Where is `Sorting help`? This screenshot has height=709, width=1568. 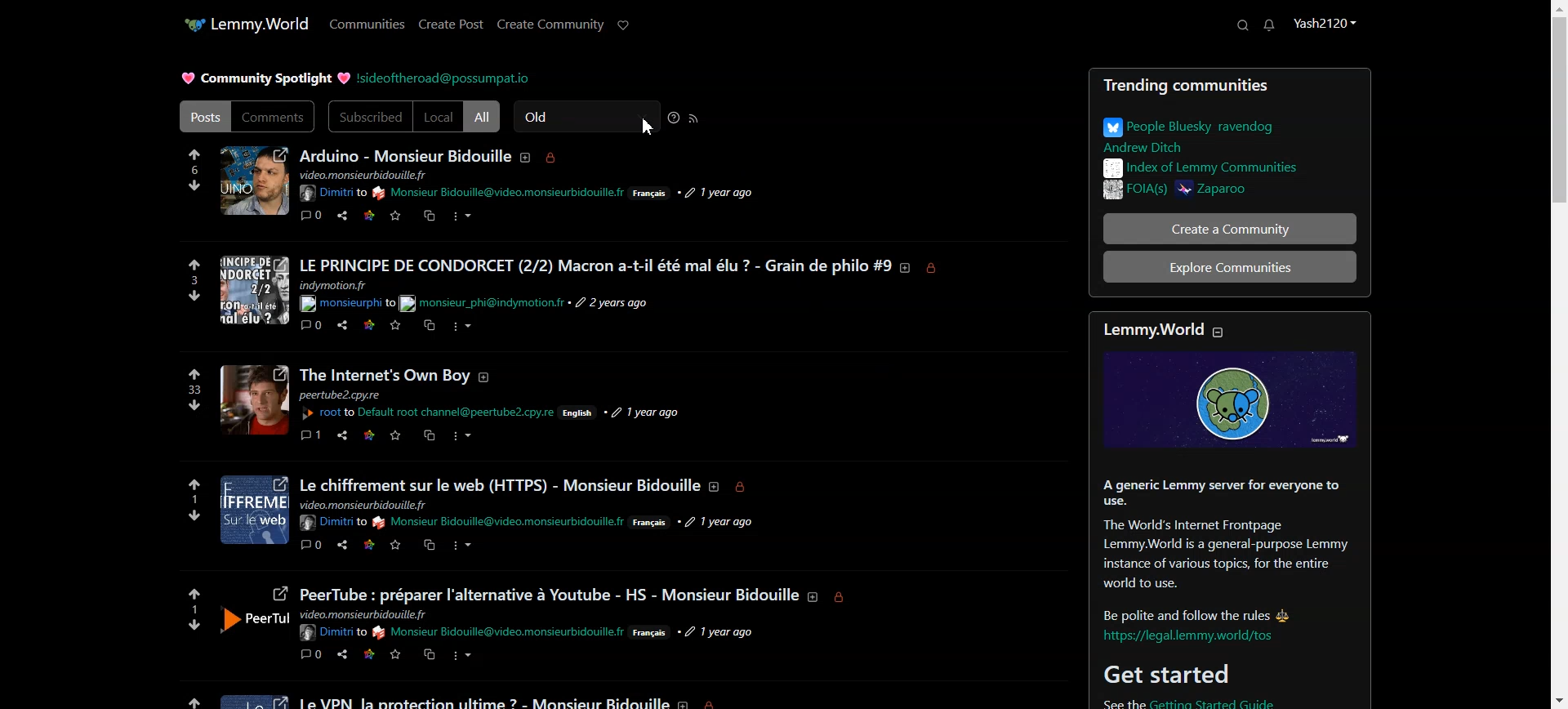 Sorting help is located at coordinates (675, 117).